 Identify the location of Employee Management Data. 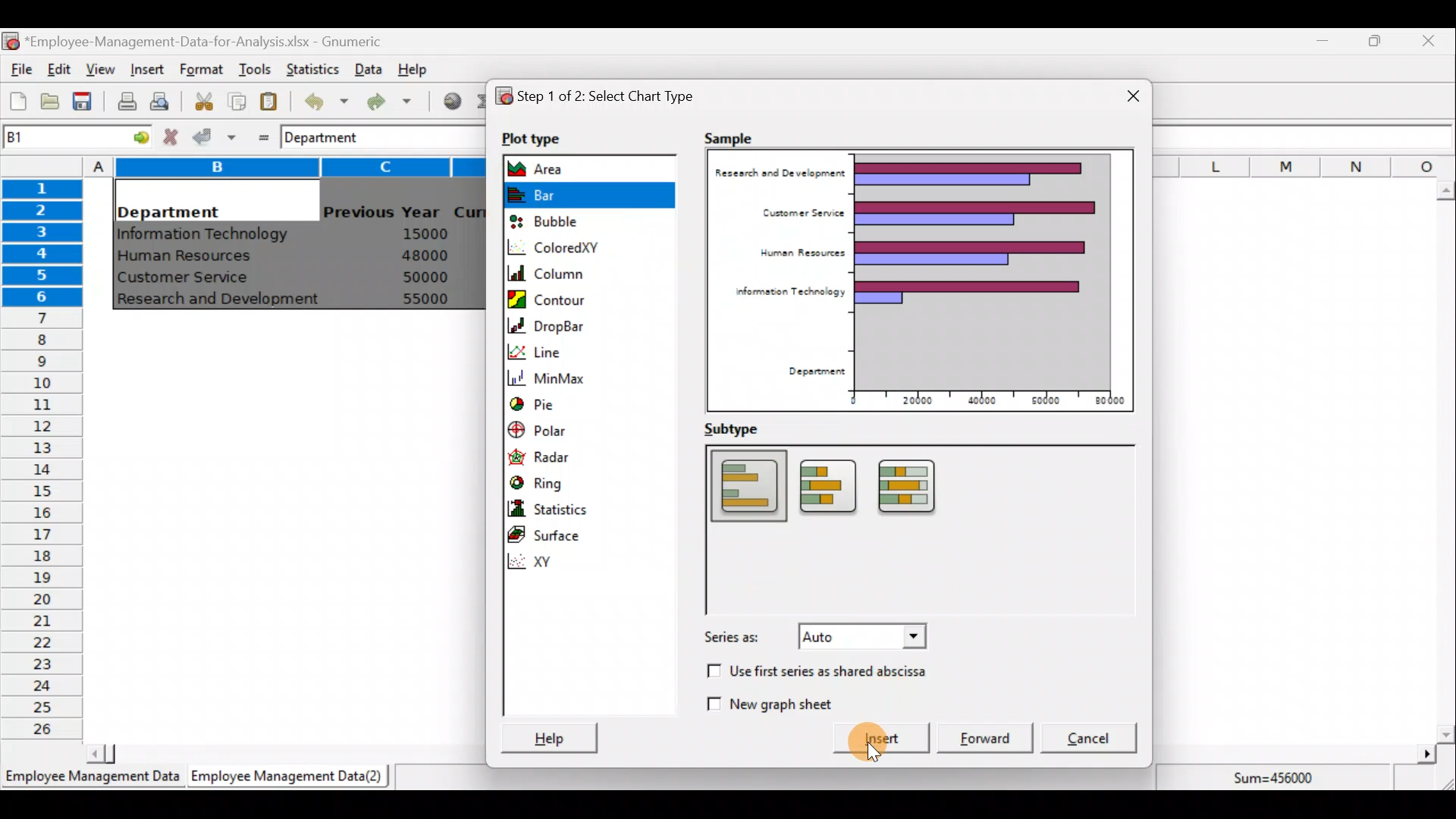
(91, 780).